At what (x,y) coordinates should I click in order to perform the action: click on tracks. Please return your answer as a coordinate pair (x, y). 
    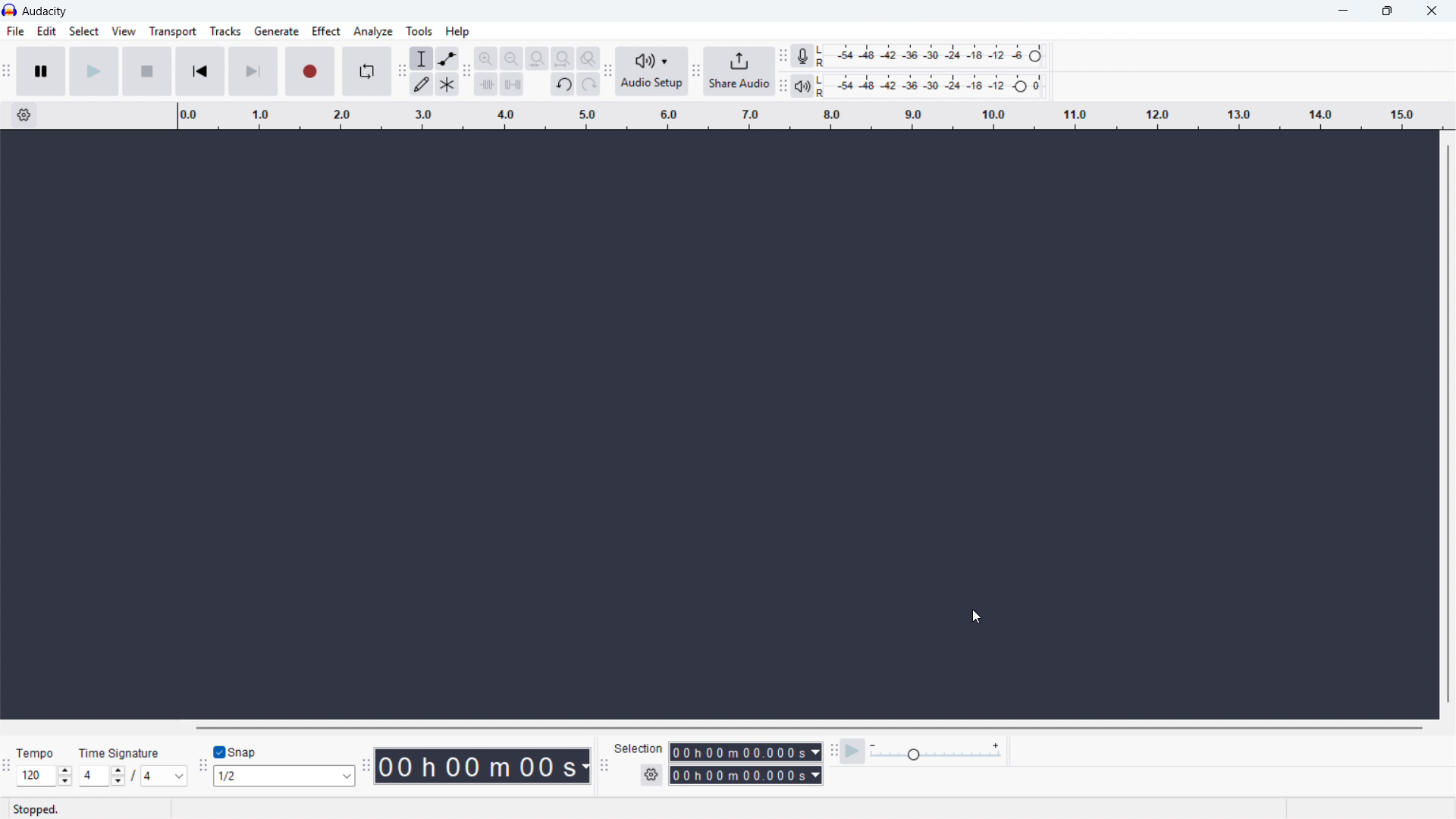
    Looking at the image, I should click on (224, 31).